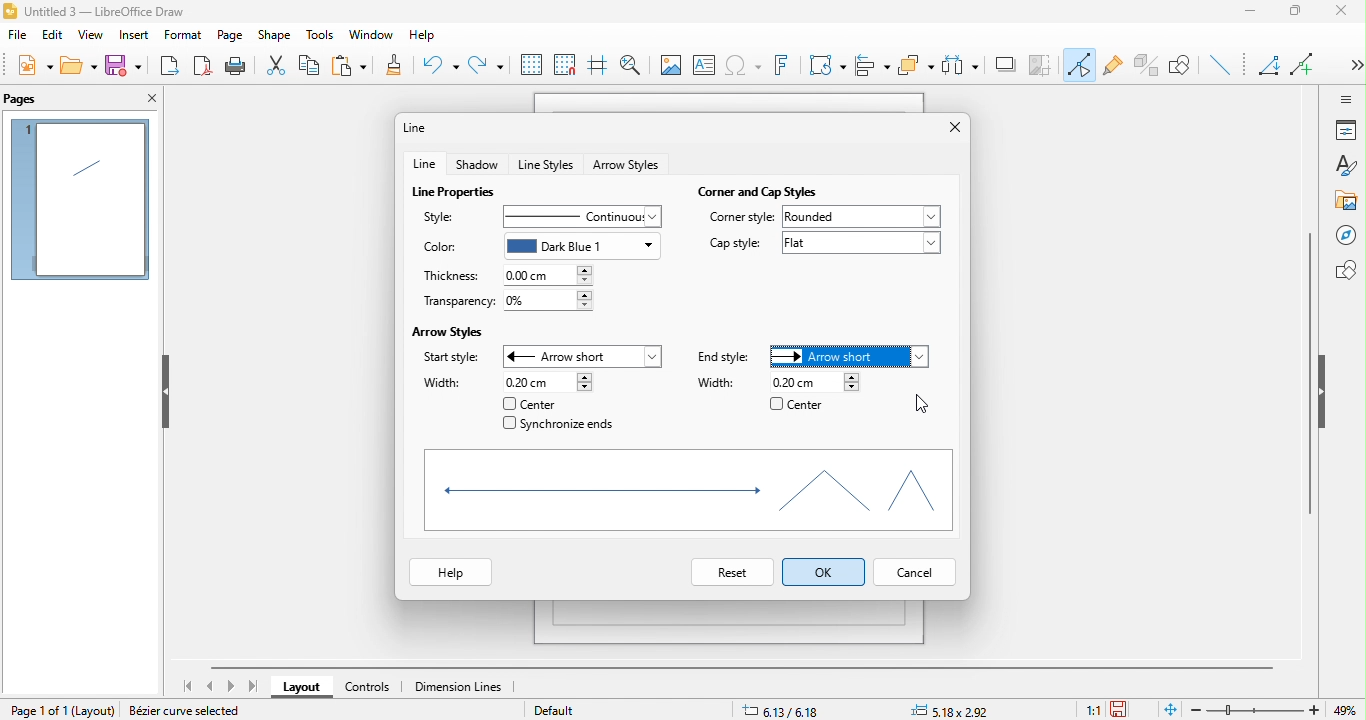 The height and width of the screenshot is (720, 1366). What do you see at coordinates (1345, 167) in the screenshot?
I see `styles` at bounding box center [1345, 167].